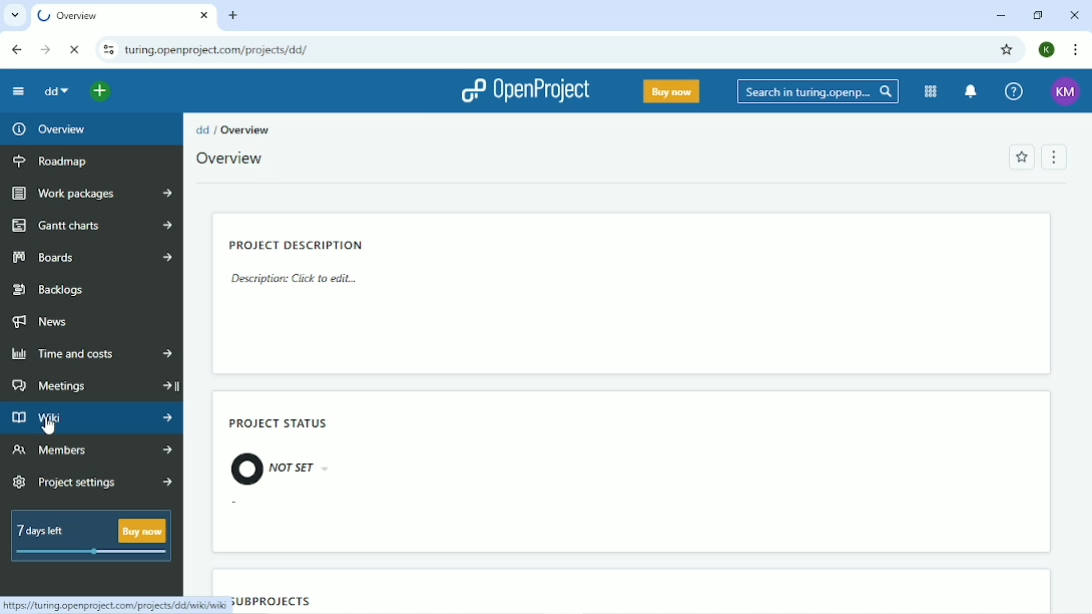 The image size is (1092, 614). What do you see at coordinates (41, 323) in the screenshot?
I see `News` at bounding box center [41, 323].